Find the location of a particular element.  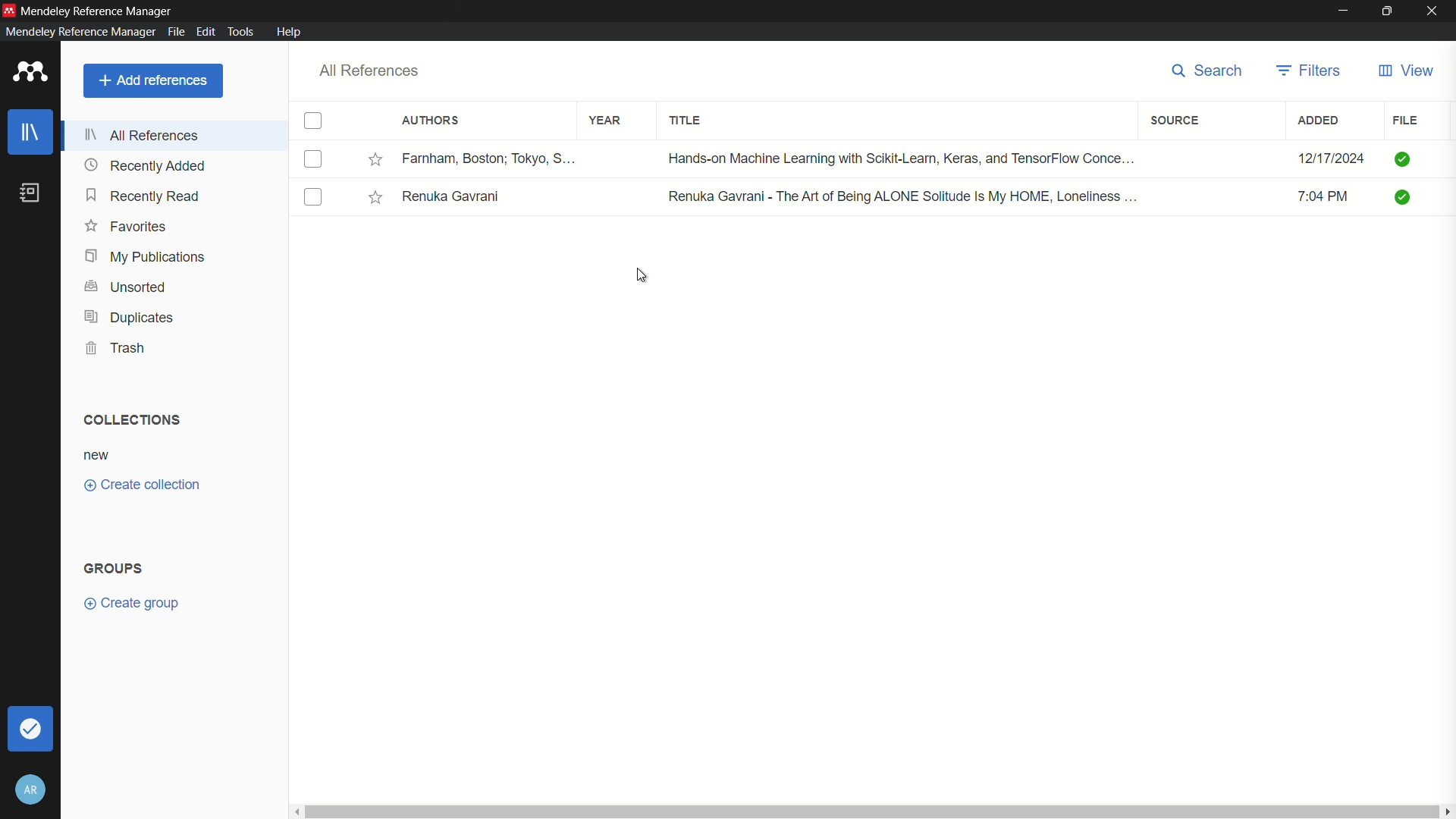

create group is located at coordinates (131, 604).